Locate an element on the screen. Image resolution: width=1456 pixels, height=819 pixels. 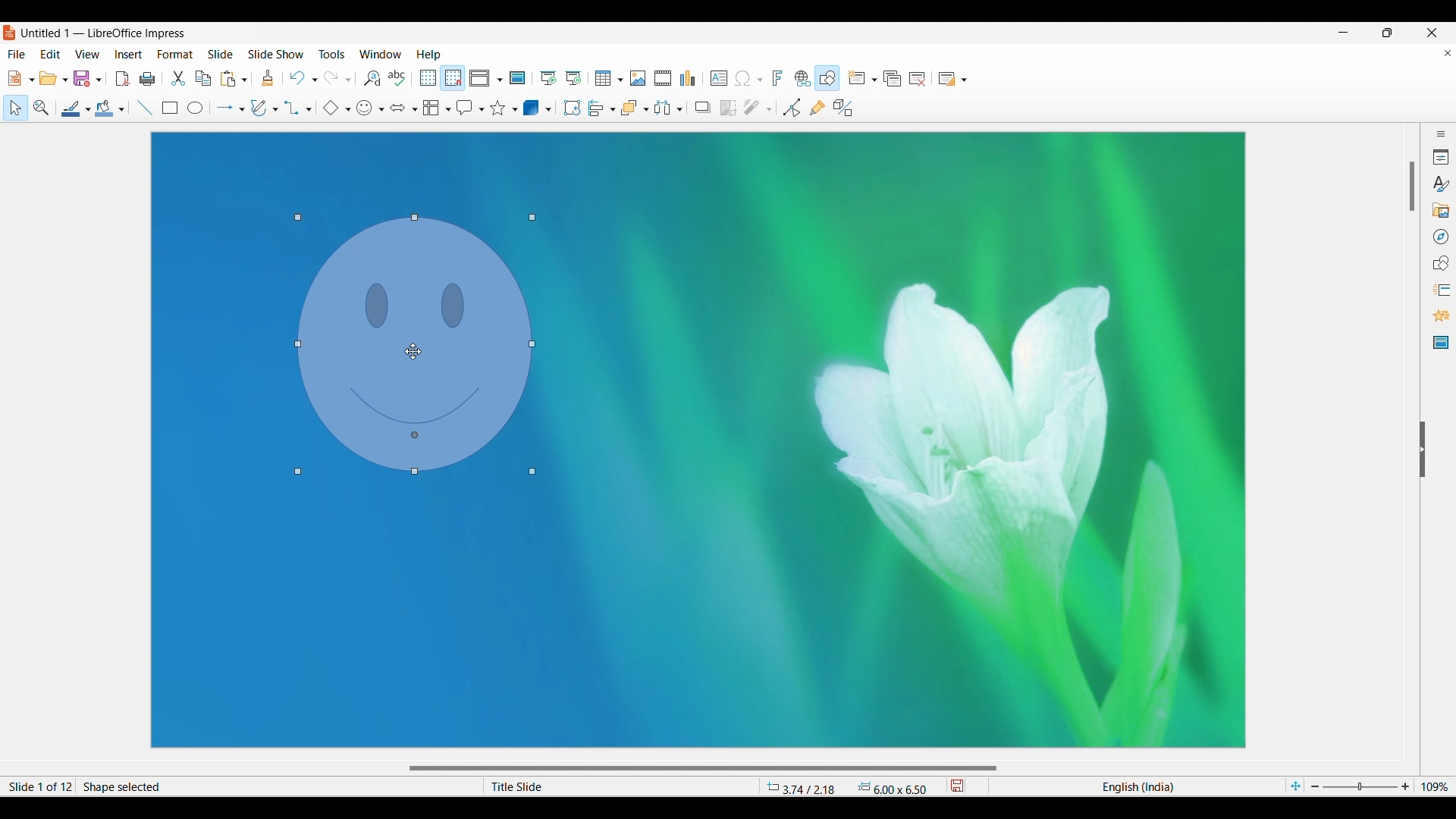
Shapes is located at coordinates (1440, 263).